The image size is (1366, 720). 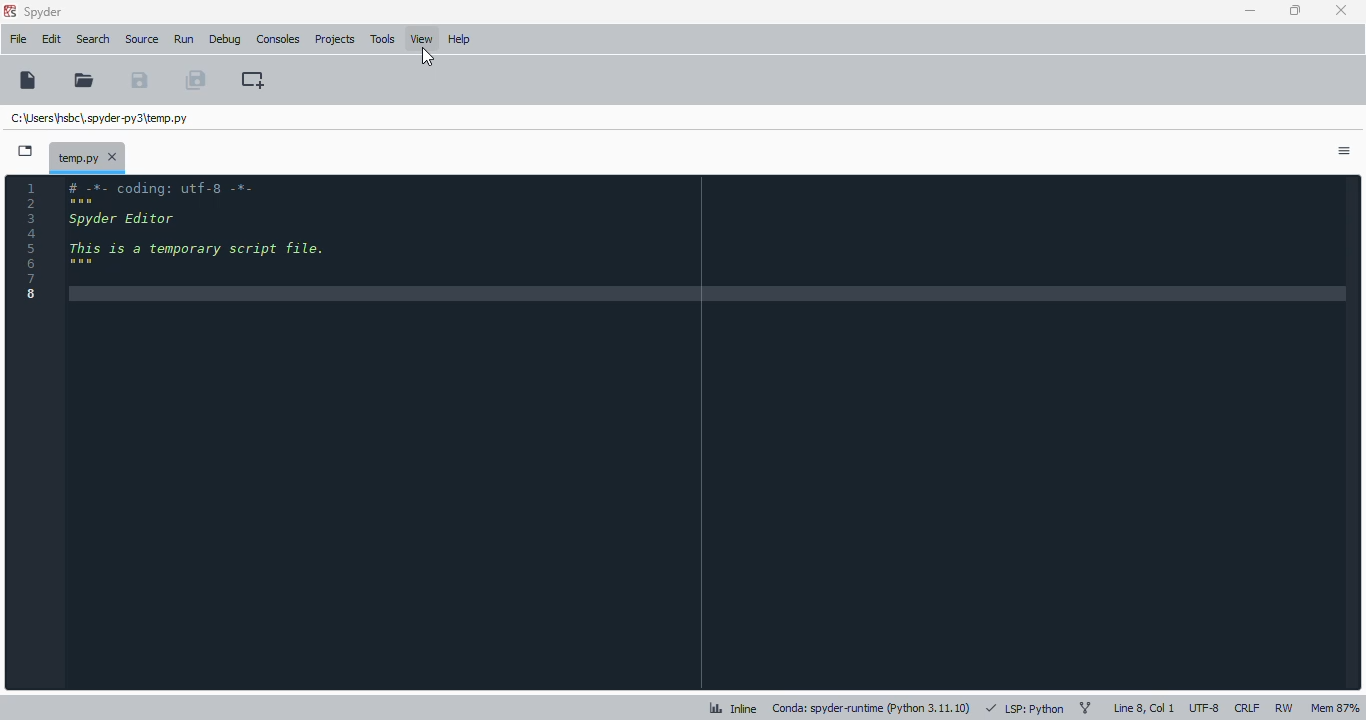 I want to click on RW, so click(x=1284, y=708).